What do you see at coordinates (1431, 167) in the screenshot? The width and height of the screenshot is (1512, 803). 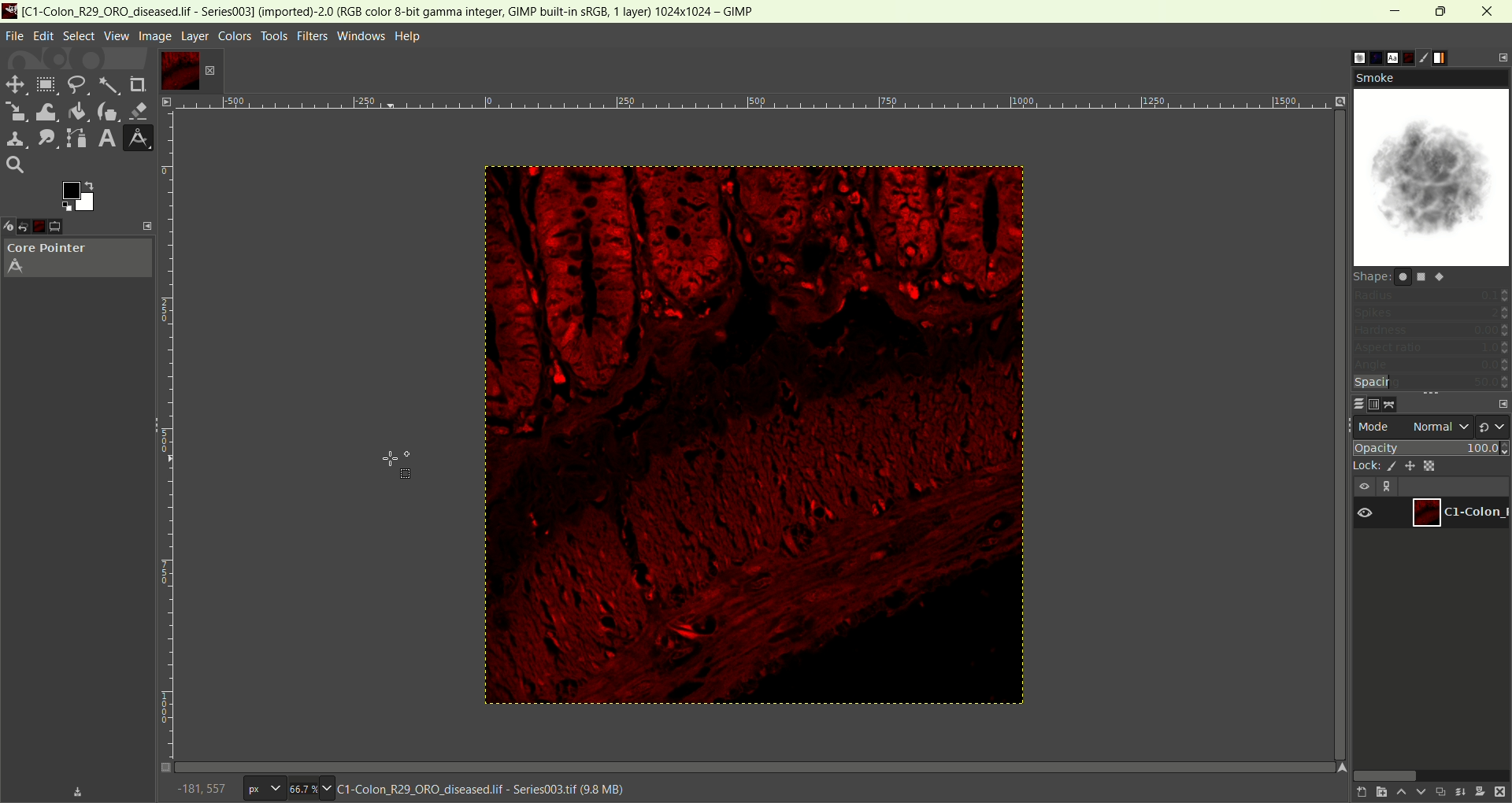 I see `smoke` at bounding box center [1431, 167].